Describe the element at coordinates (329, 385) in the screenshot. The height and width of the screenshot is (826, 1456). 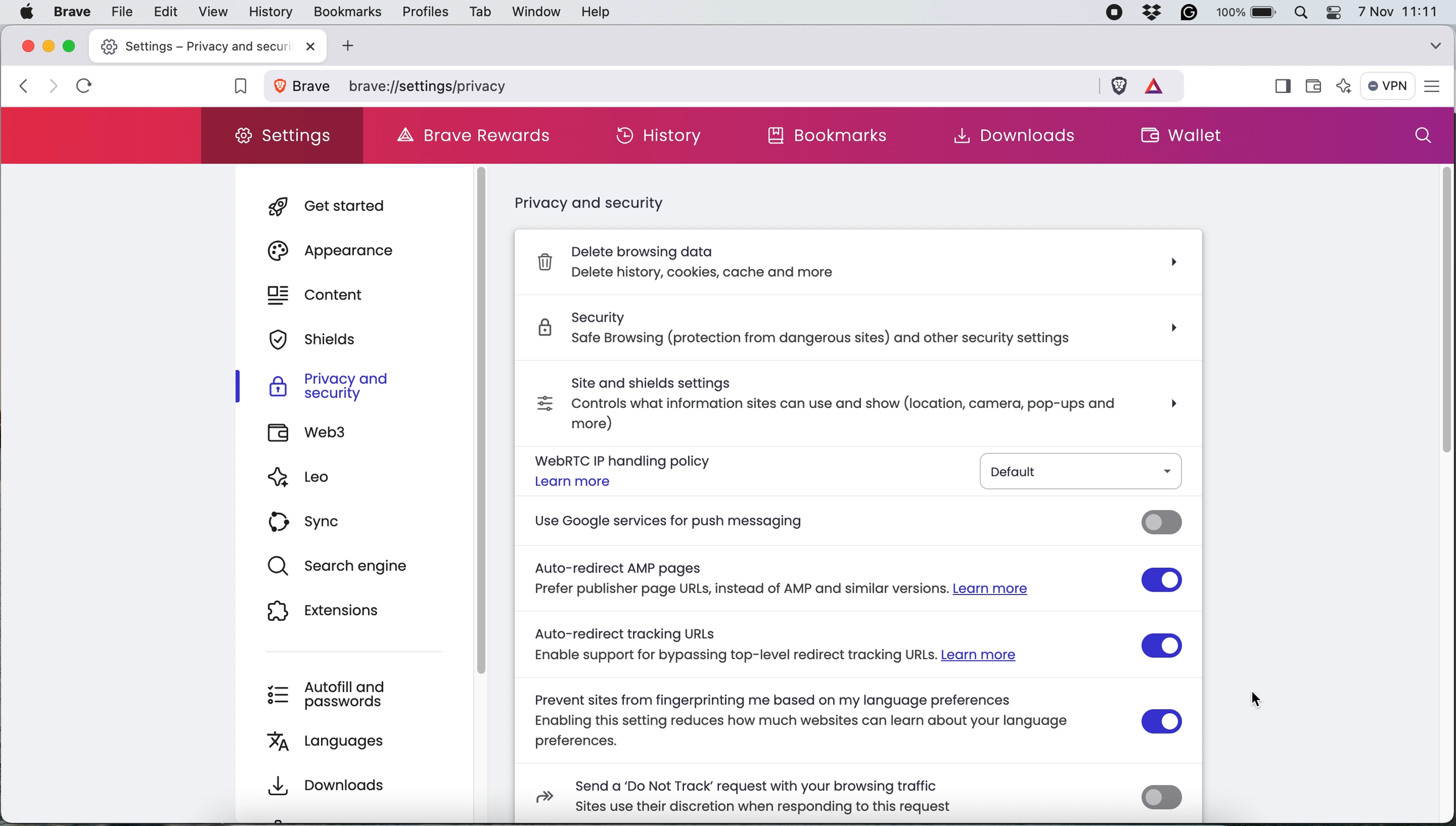
I see `privacy and security` at that location.